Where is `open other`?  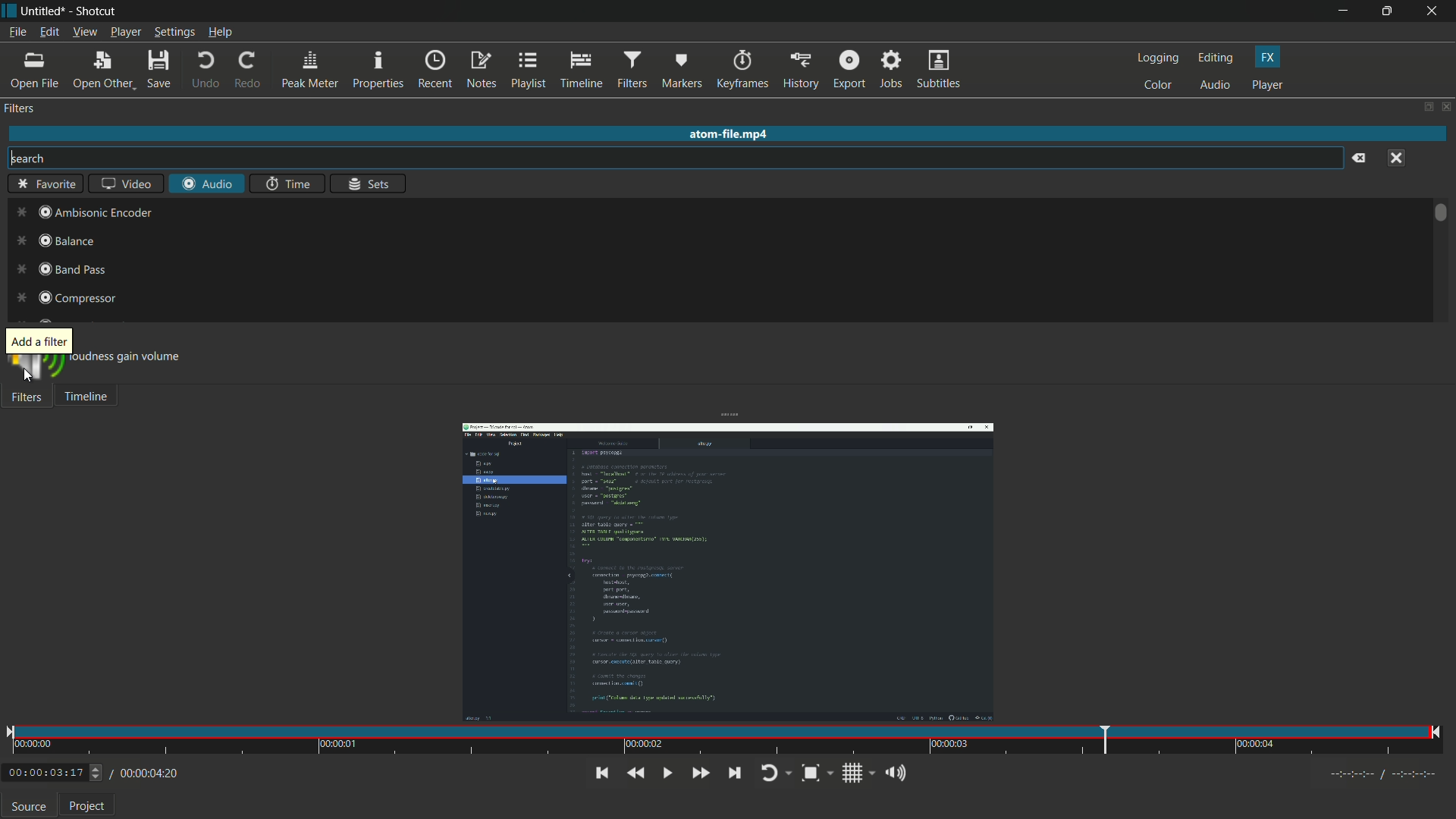 open other is located at coordinates (102, 71).